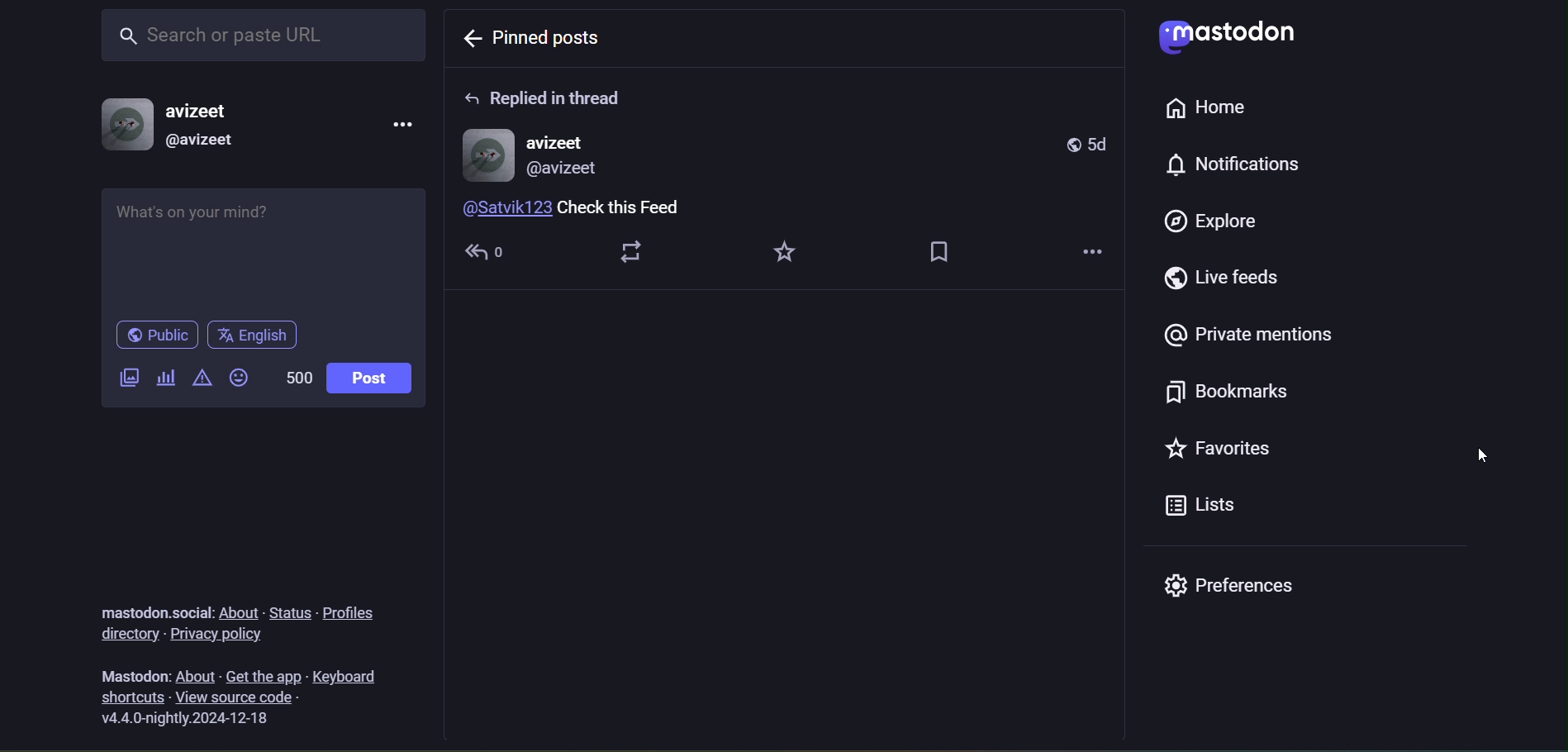 The width and height of the screenshot is (1568, 752). What do you see at coordinates (1211, 223) in the screenshot?
I see `explore` at bounding box center [1211, 223].